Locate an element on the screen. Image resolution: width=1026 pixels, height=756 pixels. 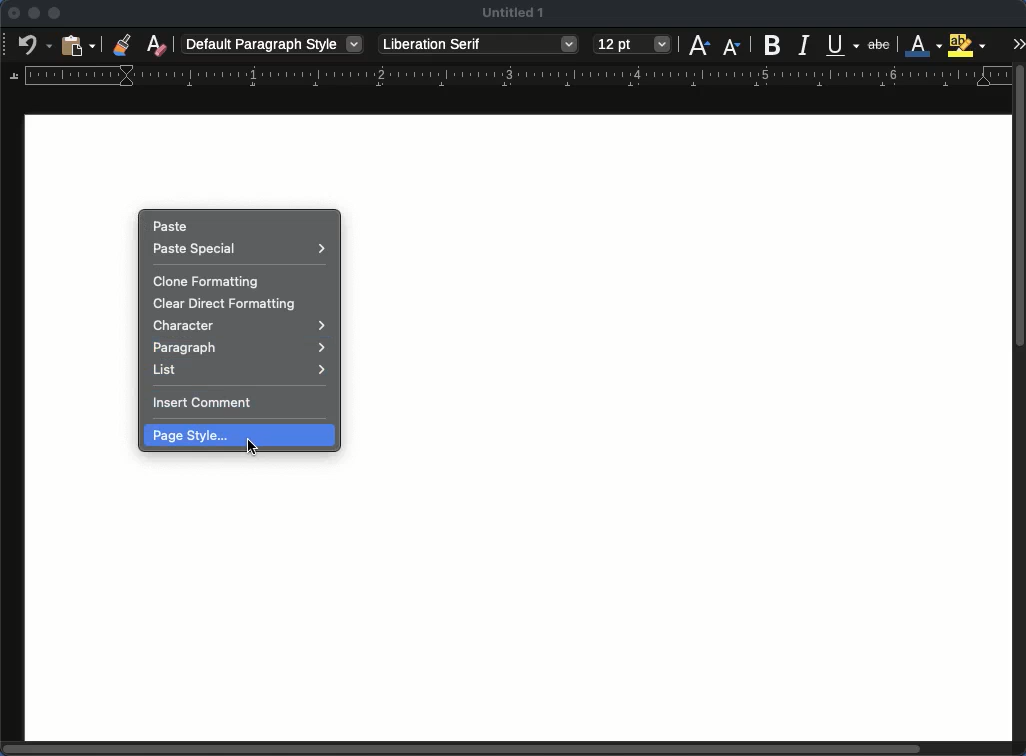
Liberation serif is located at coordinates (480, 45).